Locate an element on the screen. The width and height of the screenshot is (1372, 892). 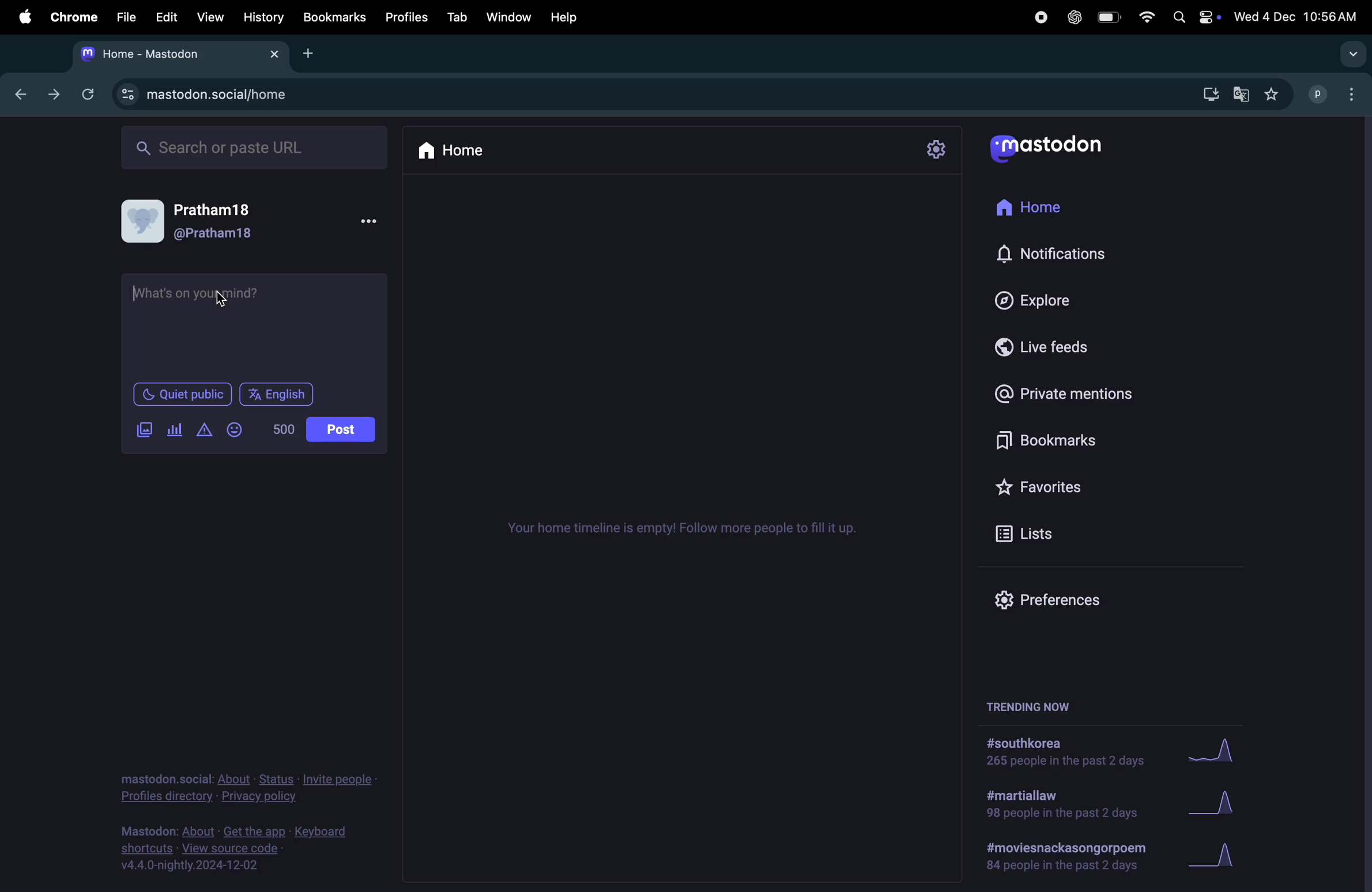
Quiet public is located at coordinates (181, 394).